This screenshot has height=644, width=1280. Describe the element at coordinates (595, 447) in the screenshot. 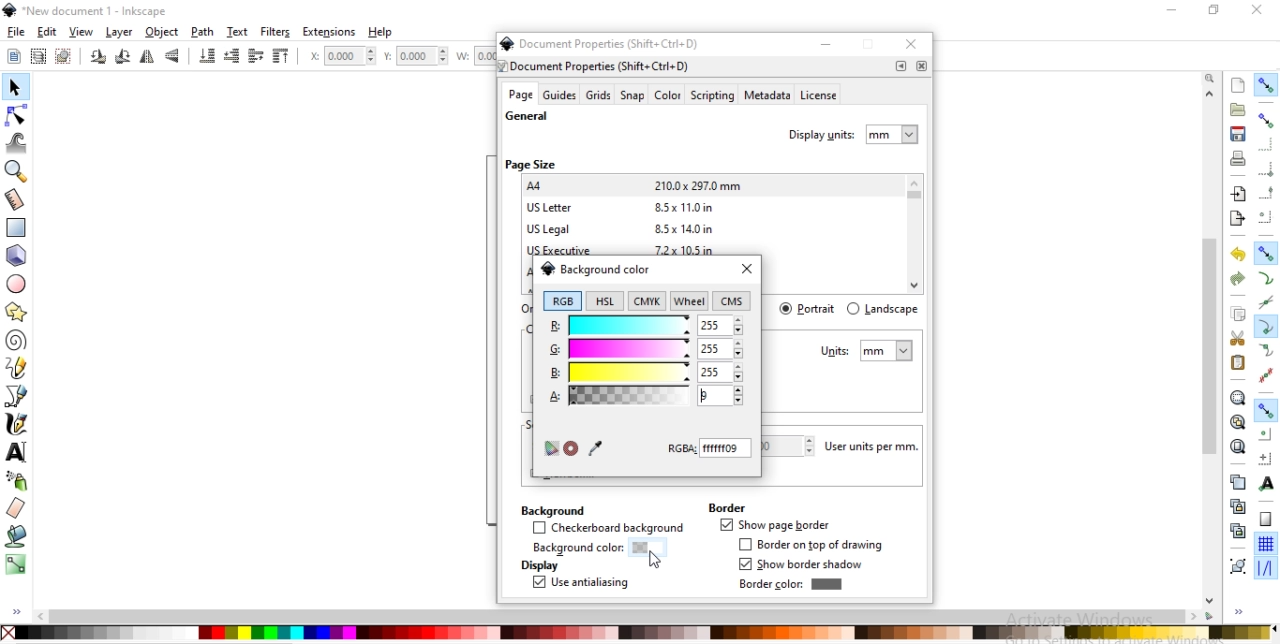

I see `pick colors from image` at that location.